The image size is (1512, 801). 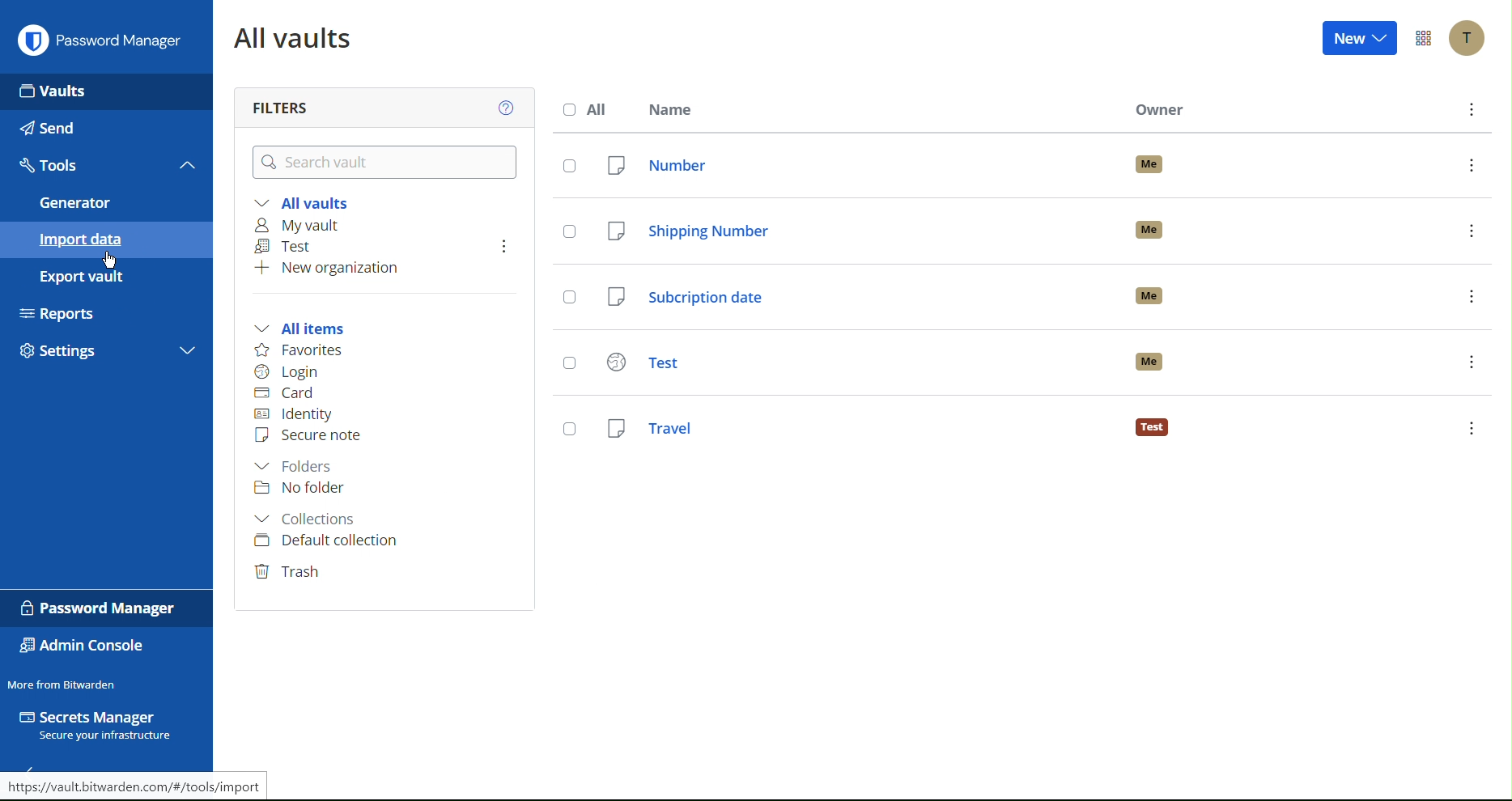 I want to click on My vault, so click(x=301, y=225).